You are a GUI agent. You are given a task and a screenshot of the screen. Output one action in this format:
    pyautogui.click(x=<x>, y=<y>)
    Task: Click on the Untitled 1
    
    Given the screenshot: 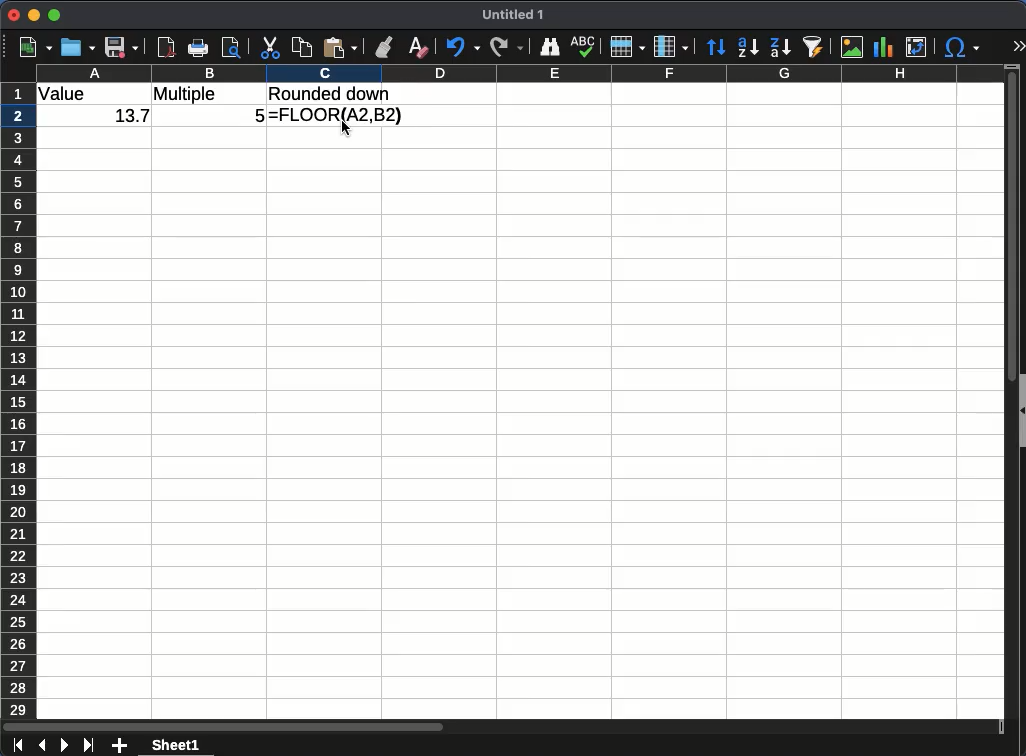 What is the action you would take?
    pyautogui.click(x=514, y=16)
    